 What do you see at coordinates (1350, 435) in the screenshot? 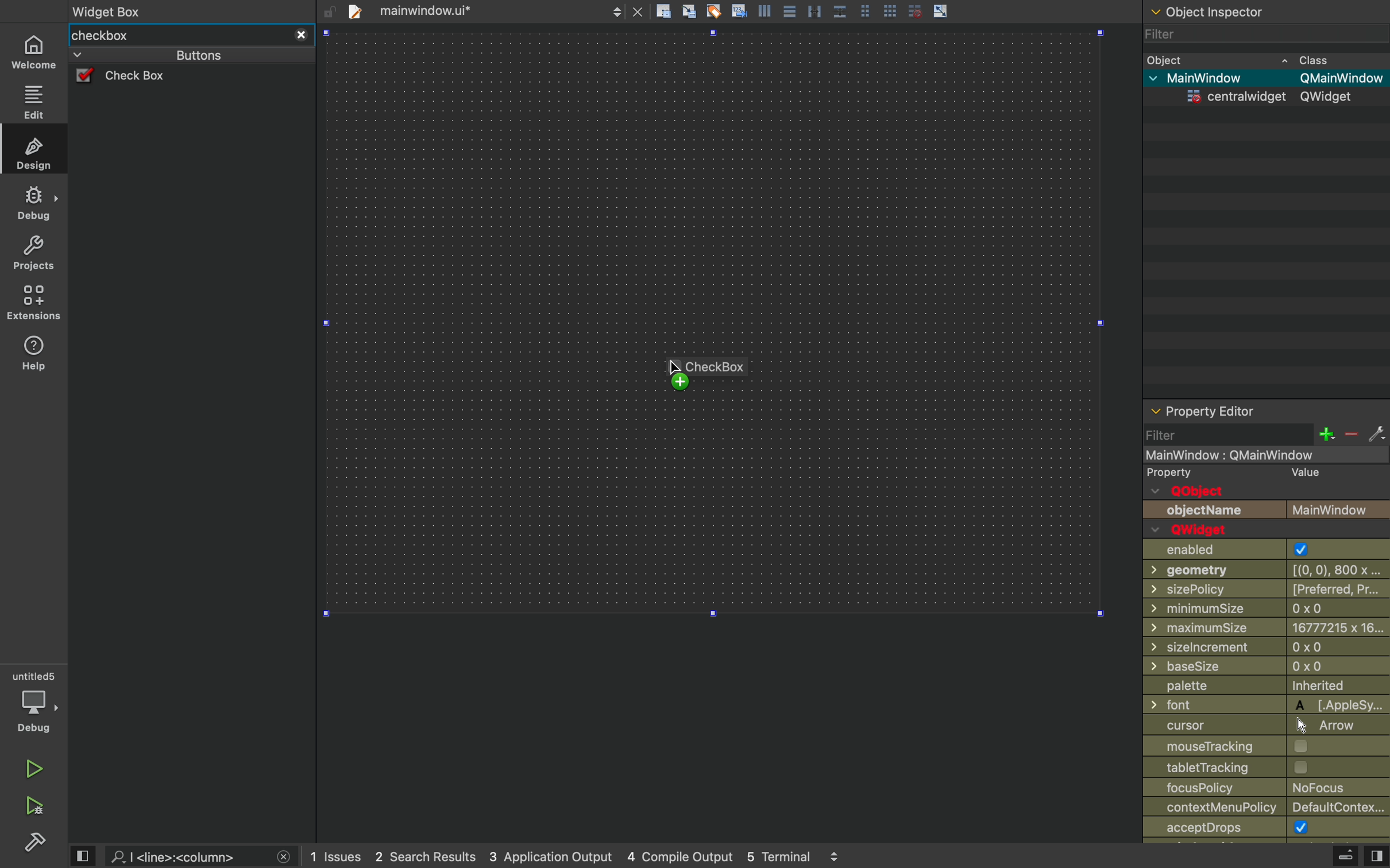
I see `minus` at bounding box center [1350, 435].